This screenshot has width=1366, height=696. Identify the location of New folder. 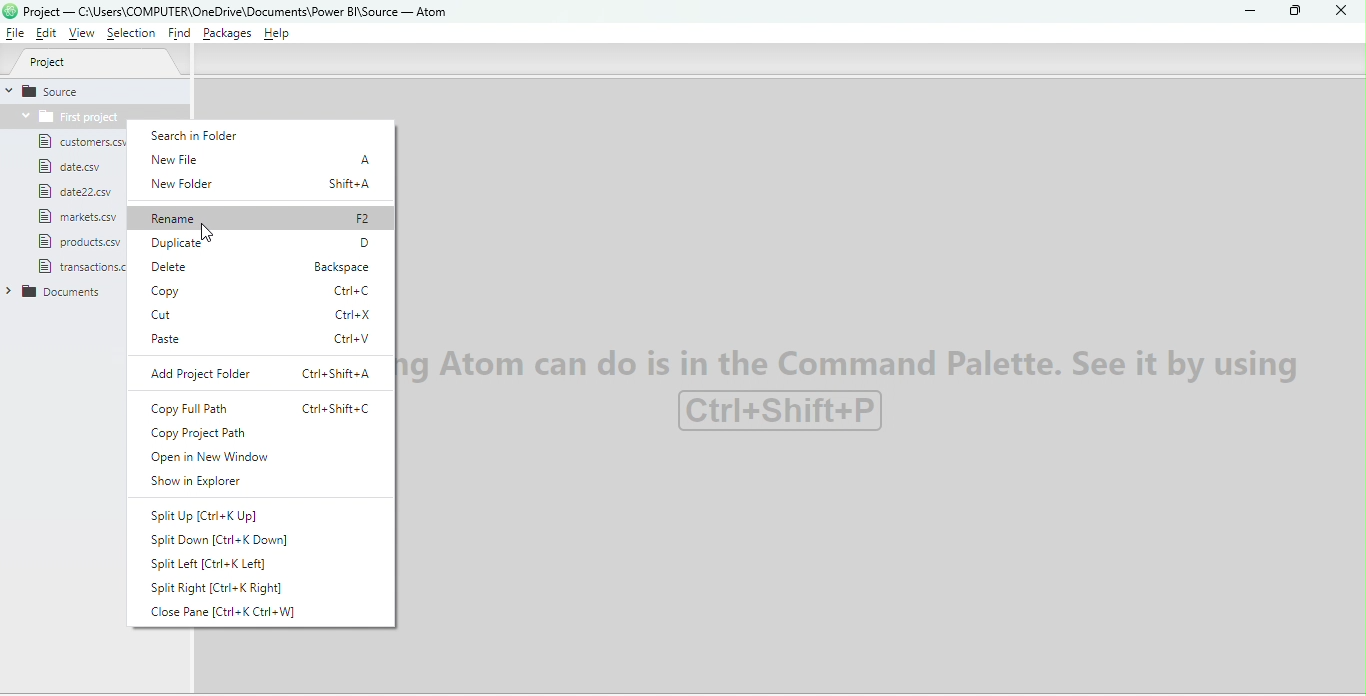
(263, 185).